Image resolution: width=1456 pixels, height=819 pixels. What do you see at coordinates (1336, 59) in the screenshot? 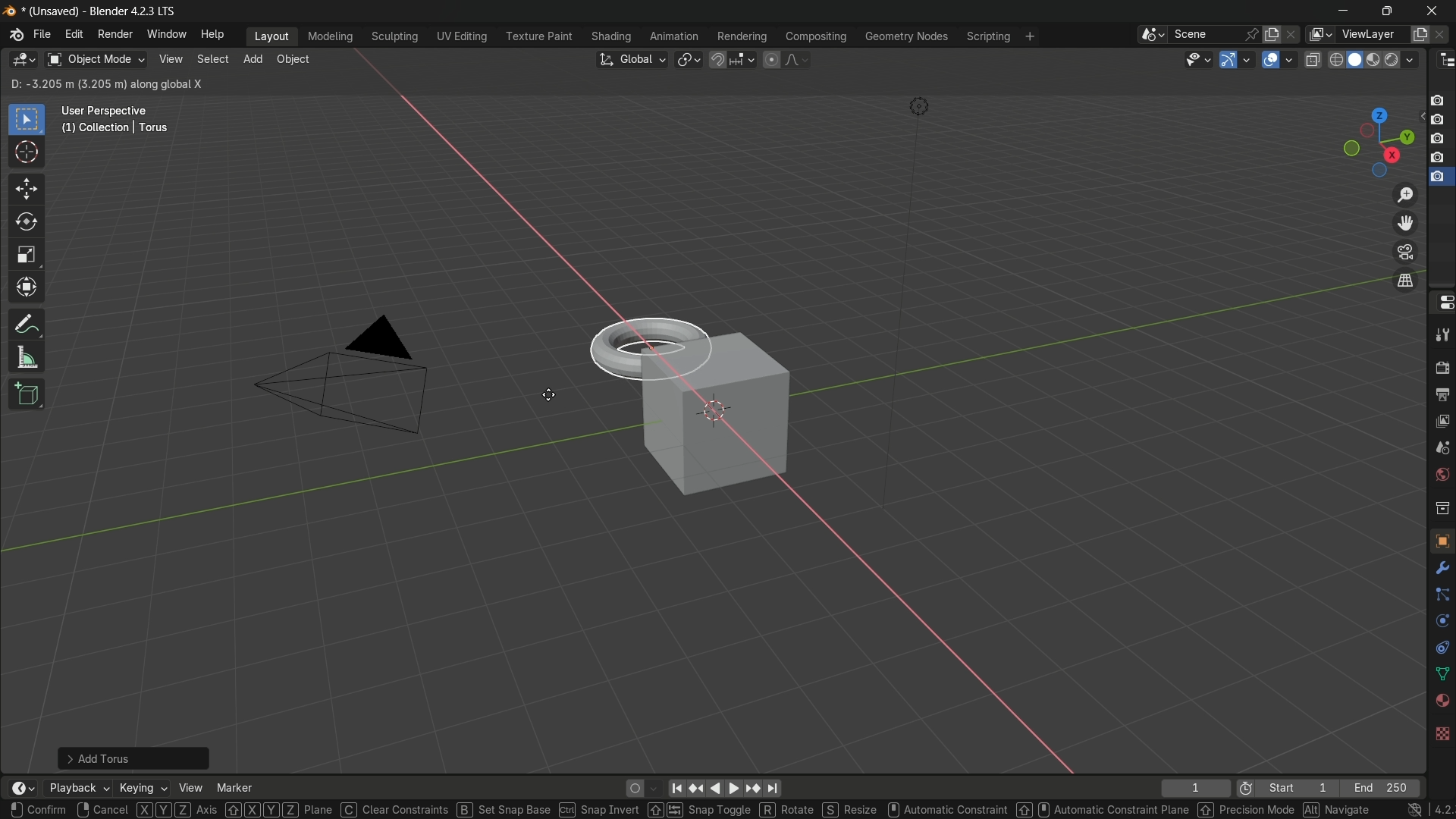
I see `wireframe` at bounding box center [1336, 59].